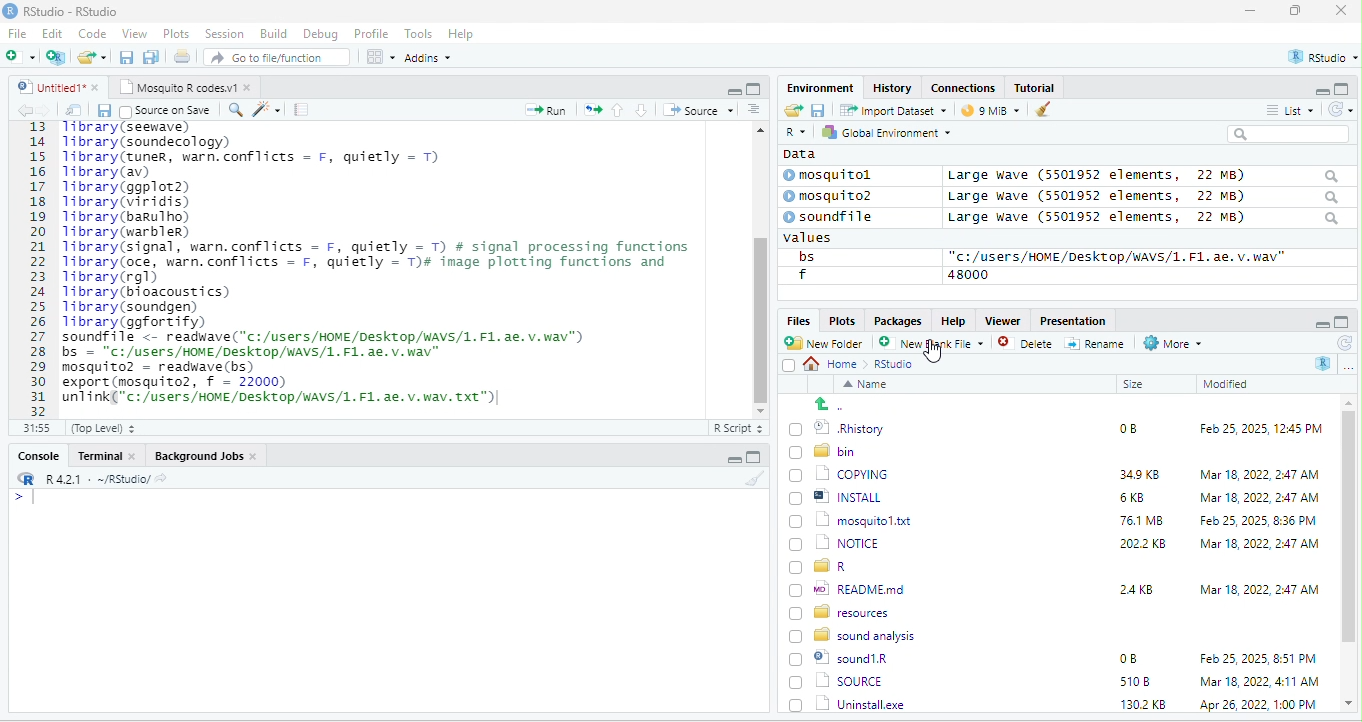 This screenshot has height=722, width=1362. I want to click on Console, so click(37, 454).